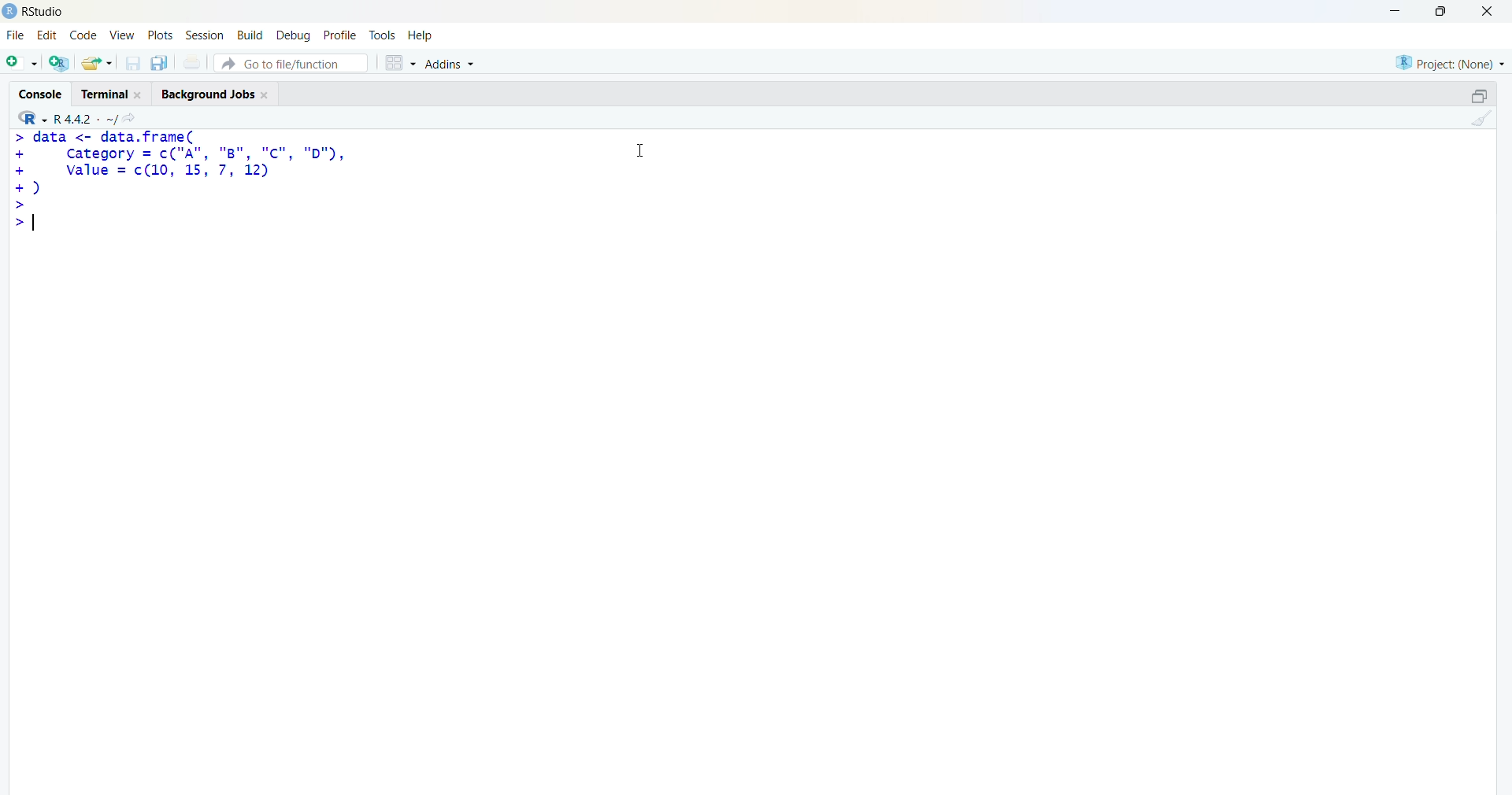 The width and height of the screenshot is (1512, 795). What do you see at coordinates (162, 35) in the screenshot?
I see `plots` at bounding box center [162, 35].